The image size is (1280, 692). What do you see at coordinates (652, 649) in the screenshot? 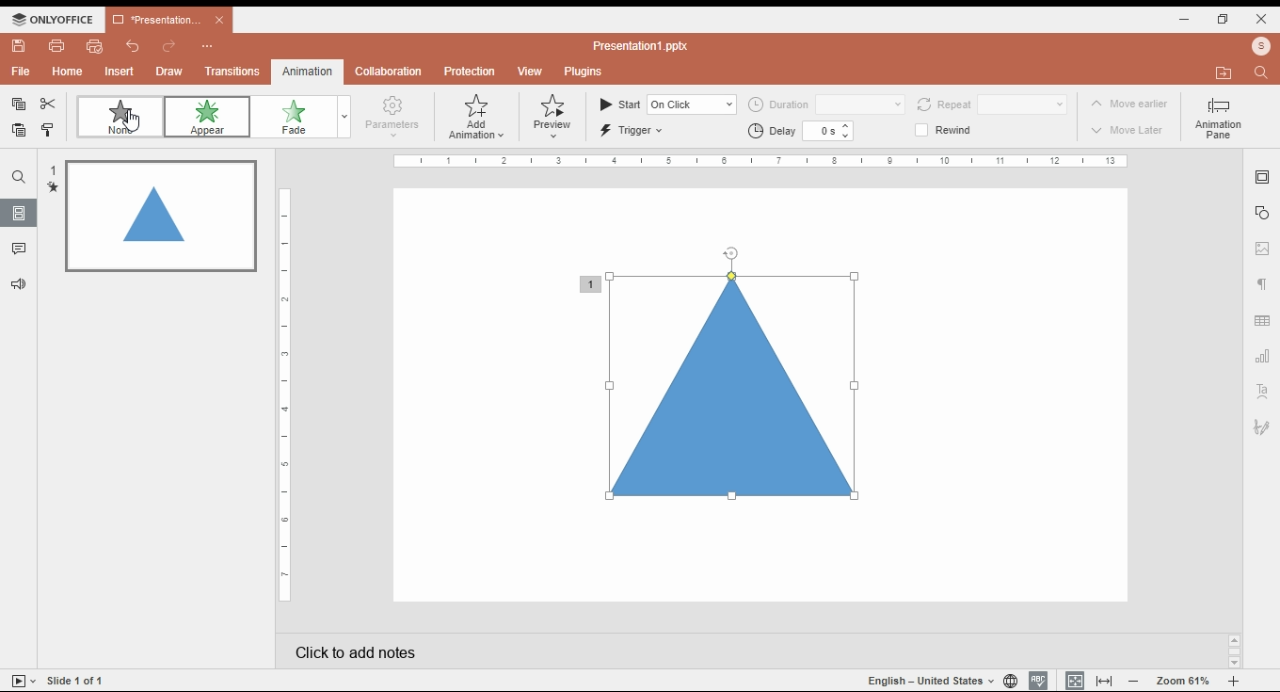
I see `click to add notes` at bounding box center [652, 649].